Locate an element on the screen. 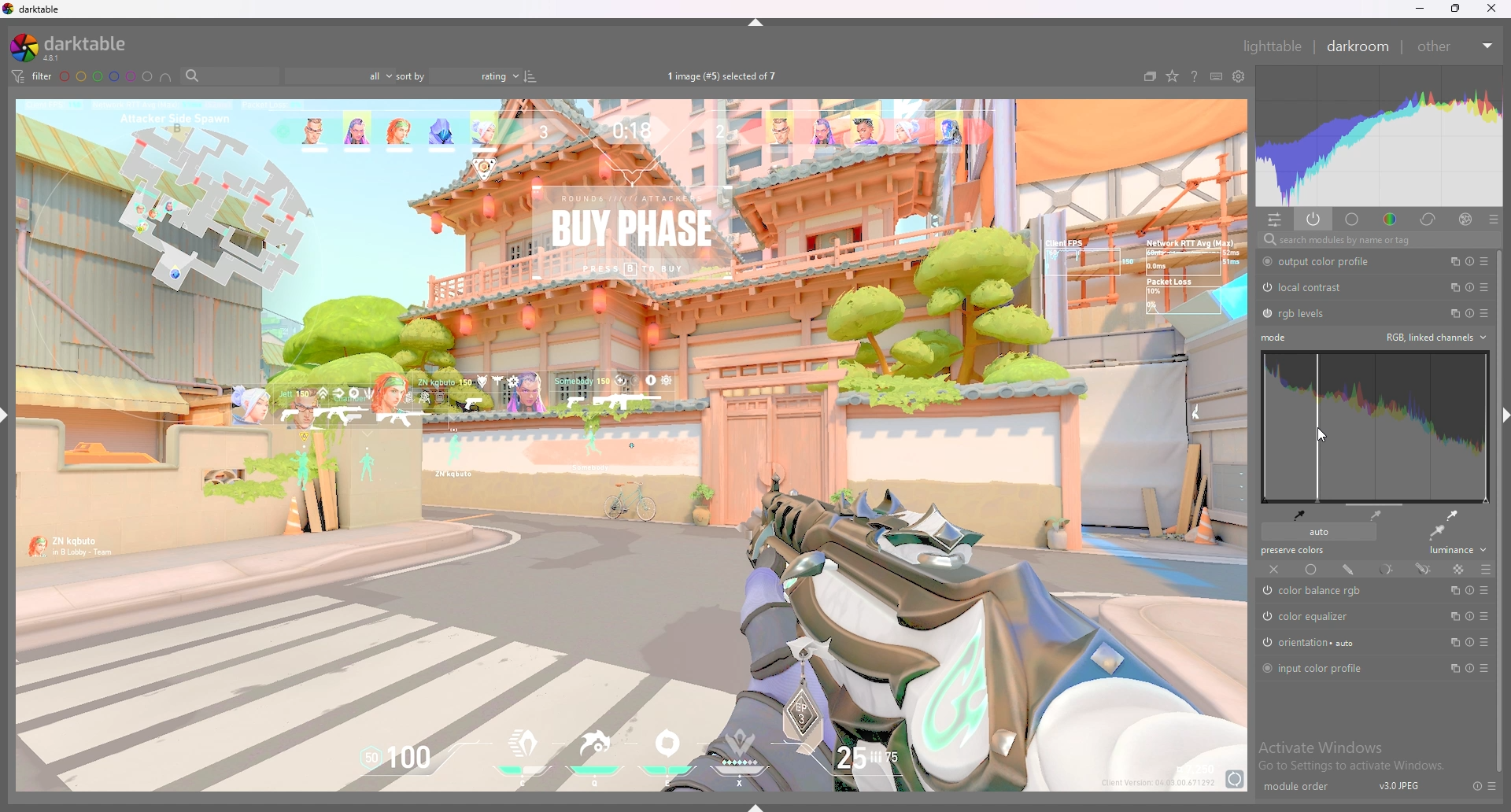  switched on is located at coordinates (1270, 592).